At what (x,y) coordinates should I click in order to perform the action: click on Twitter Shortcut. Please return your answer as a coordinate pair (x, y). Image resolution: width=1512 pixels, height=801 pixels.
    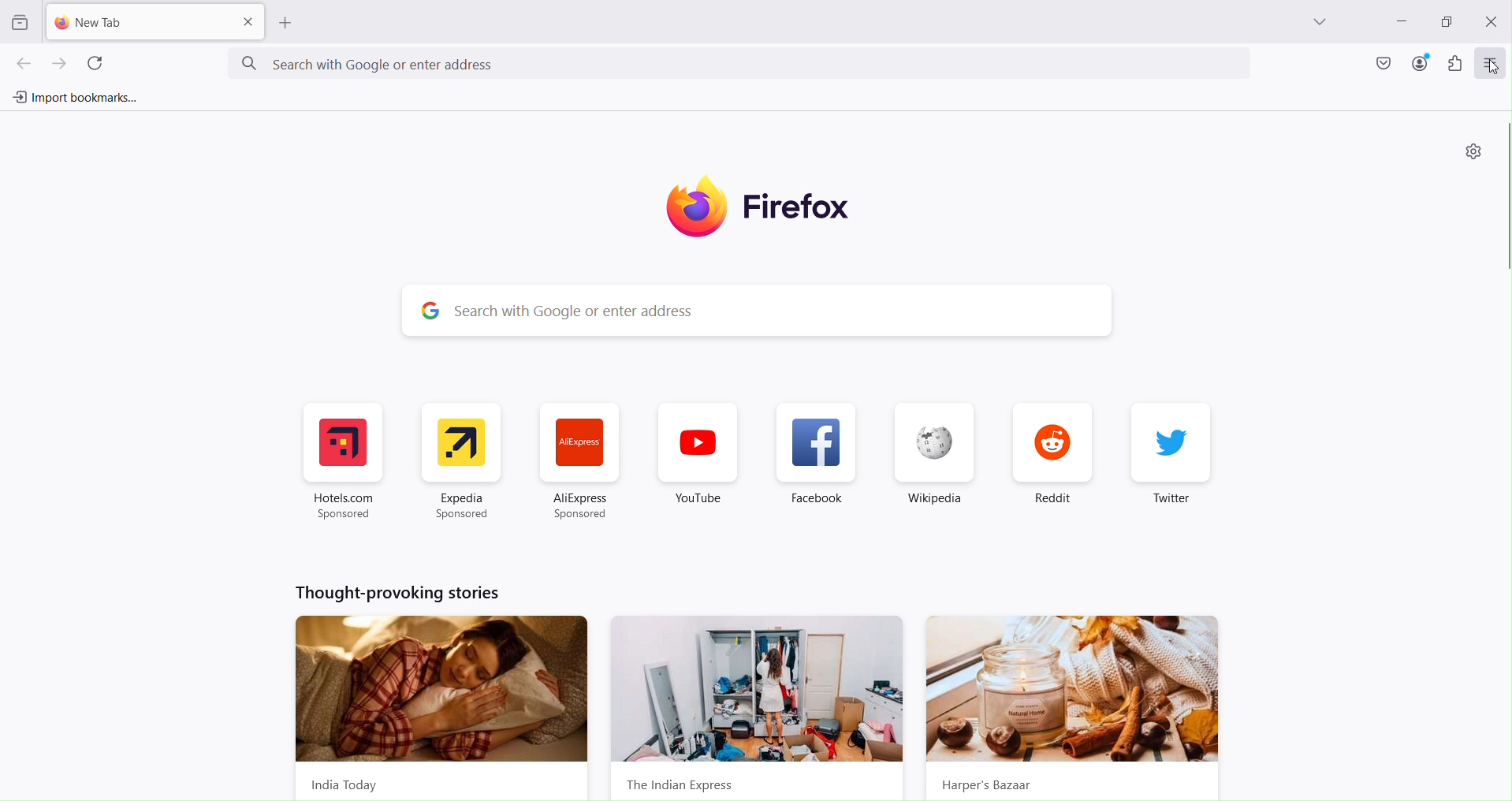
    Looking at the image, I should click on (1170, 461).